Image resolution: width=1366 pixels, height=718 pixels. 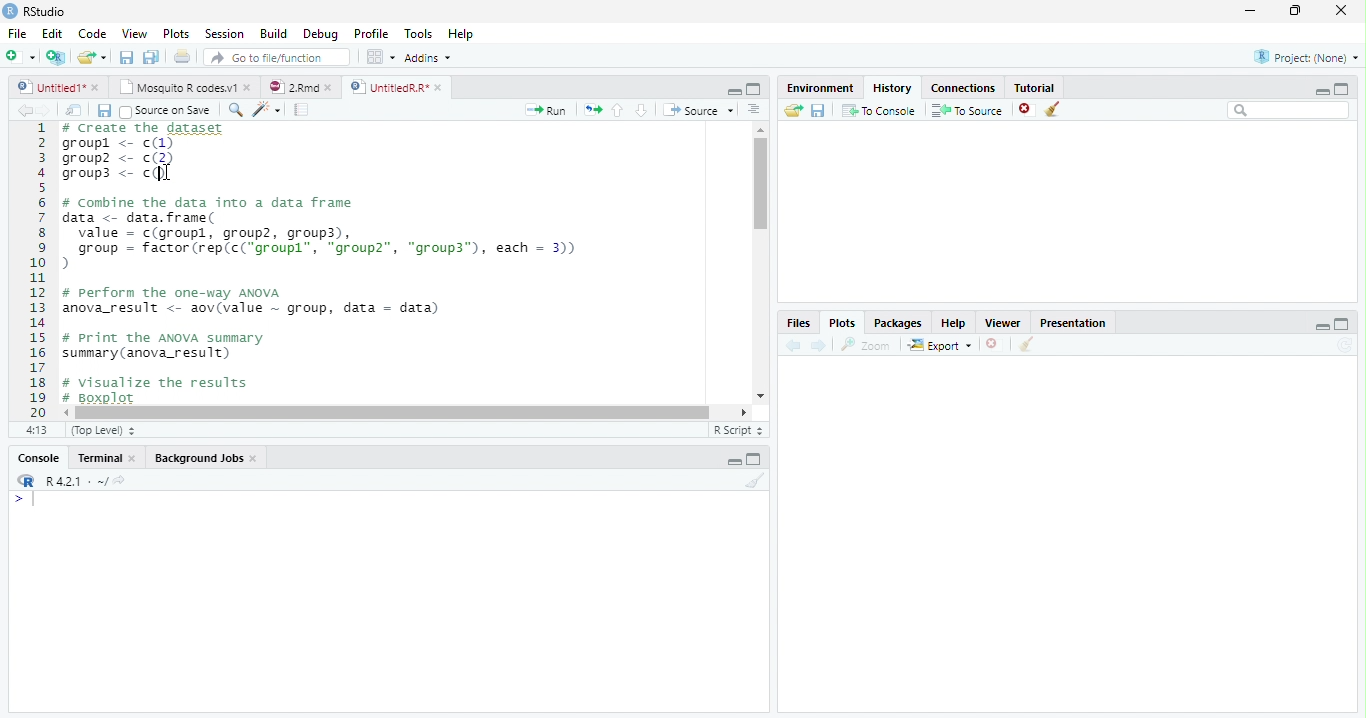 What do you see at coordinates (19, 56) in the screenshot?
I see `New file` at bounding box center [19, 56].